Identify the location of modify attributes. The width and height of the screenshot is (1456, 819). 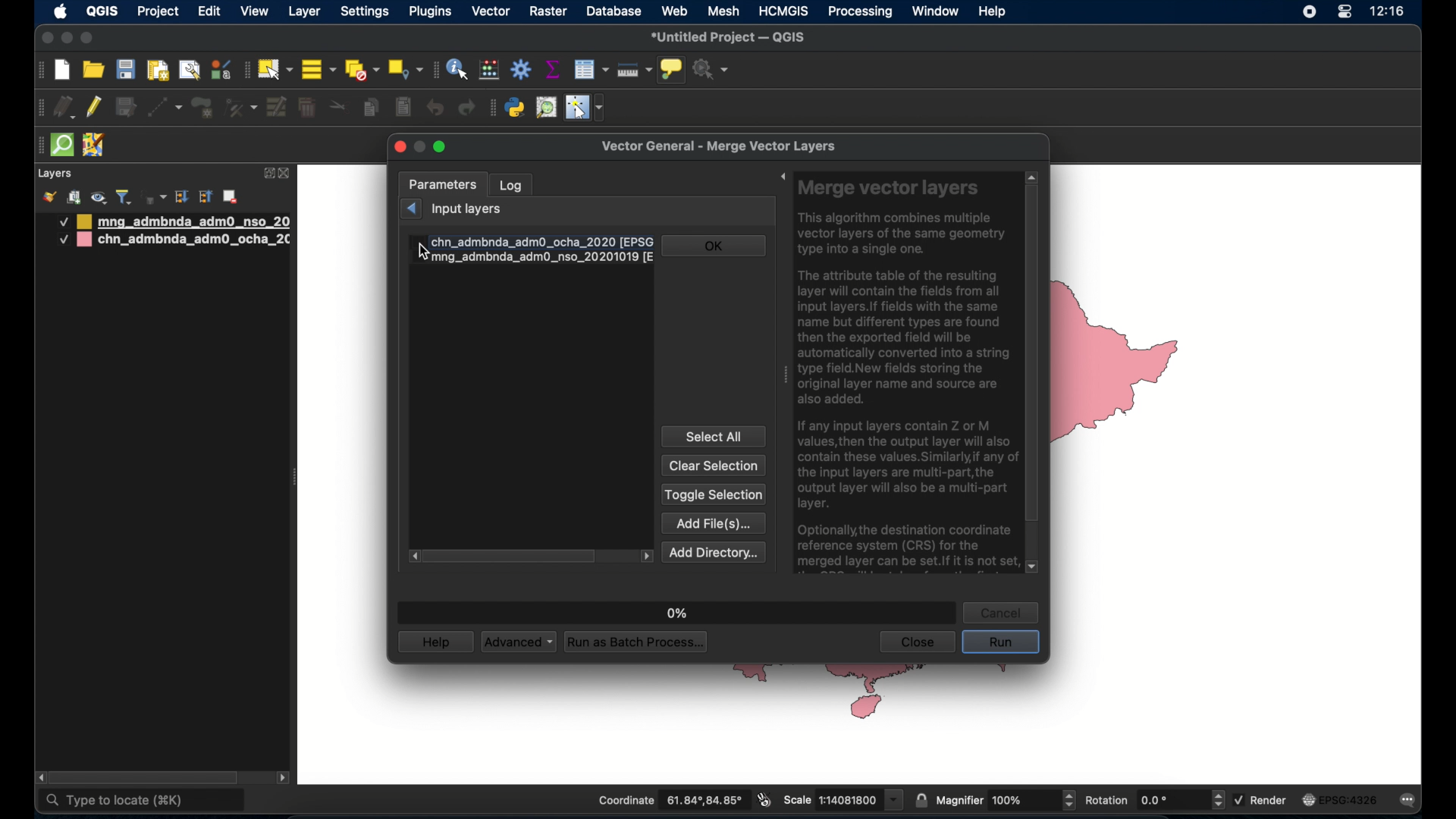
(278, 108).